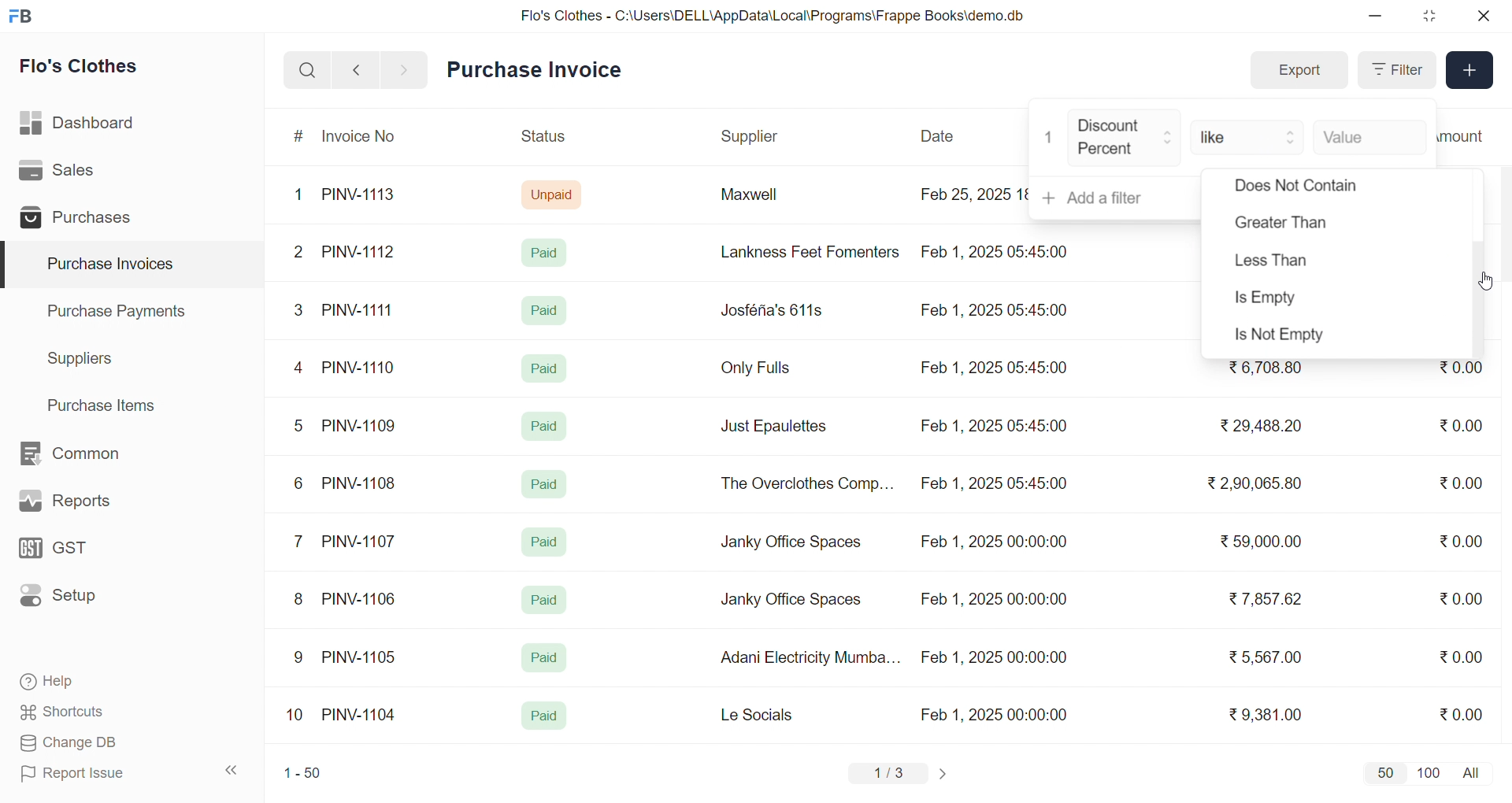 Image resolution: width=1512 pixels, height=803 pixels. Describe the element at coordinates (121, 310) in the screenshot. I see `Purchase Payments` at that location.